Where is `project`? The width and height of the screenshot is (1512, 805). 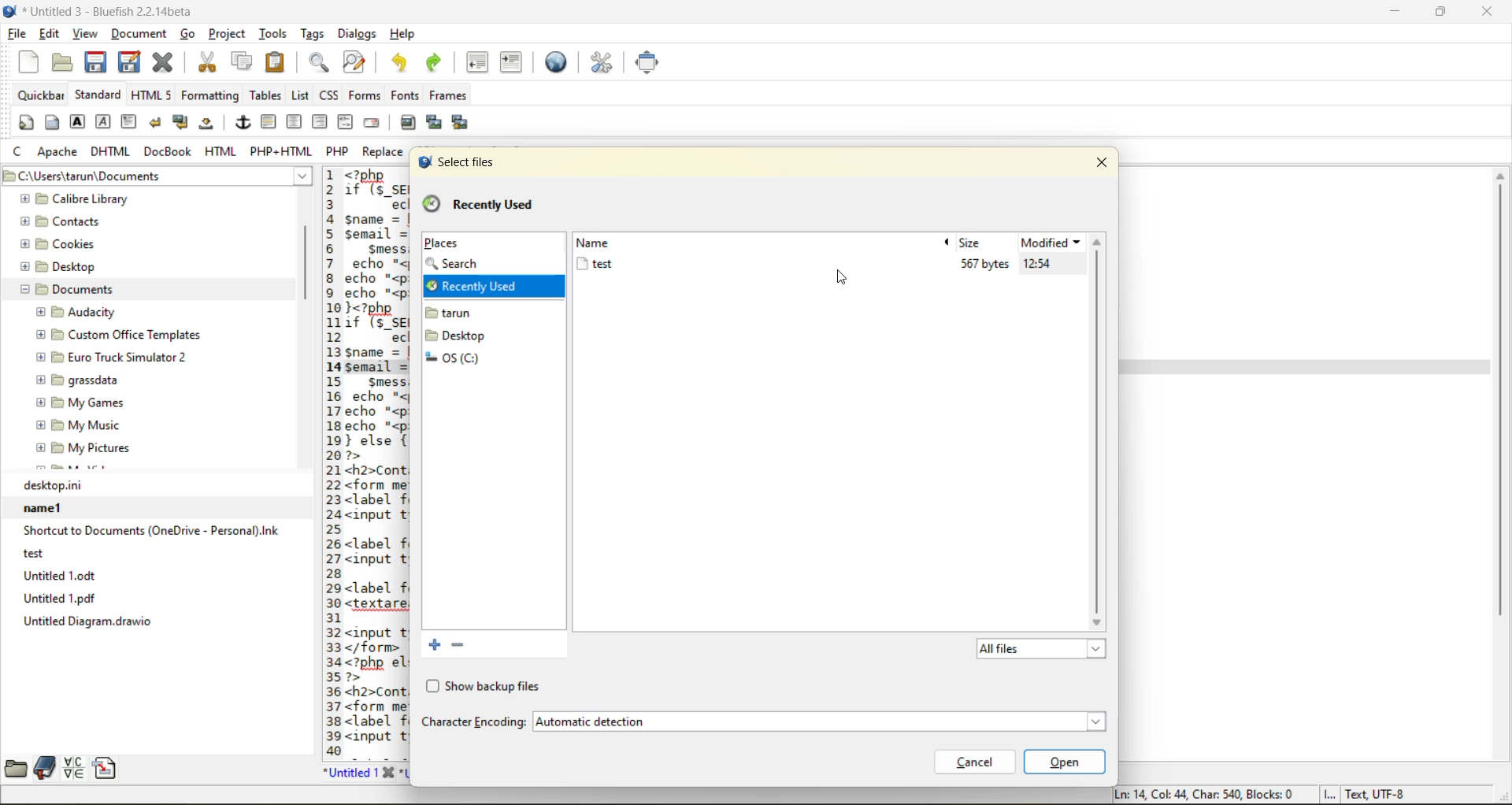 project is located at coordinates (229, 36).